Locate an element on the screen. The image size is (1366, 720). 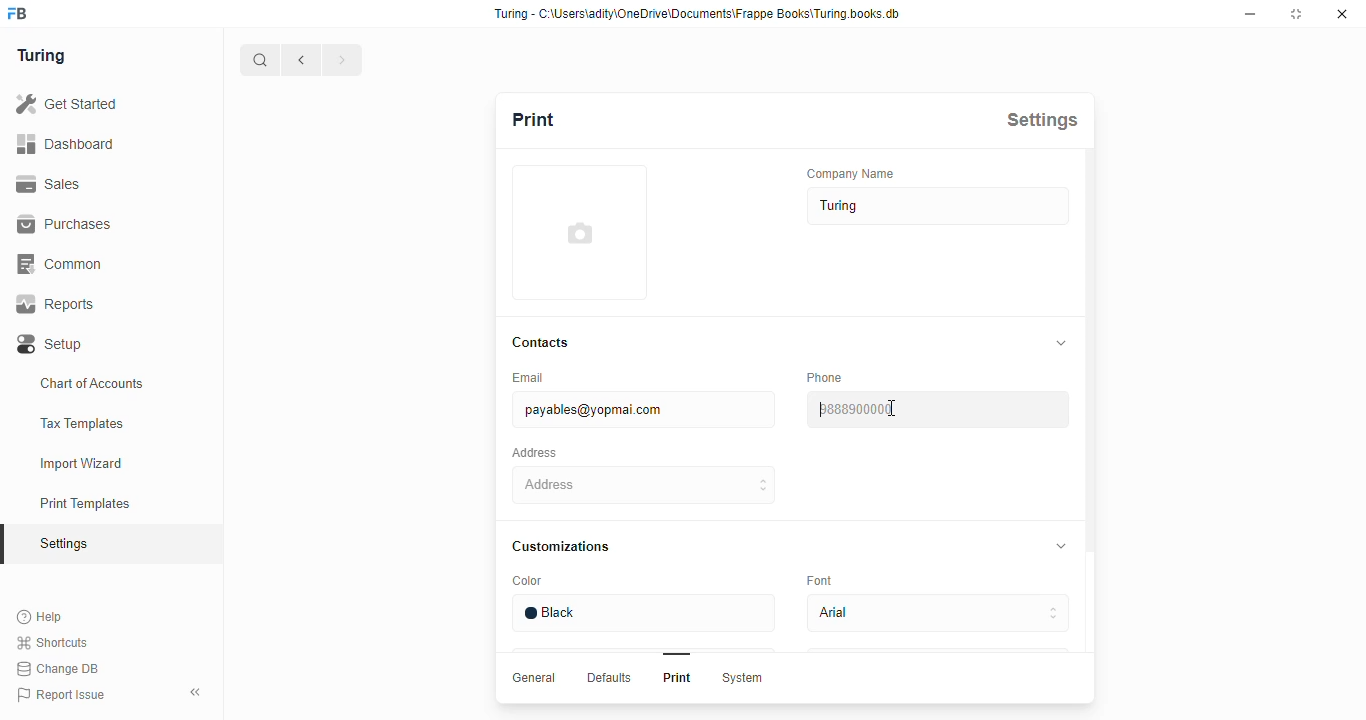
Chart of Accounts is located at coordinates (100, 382).